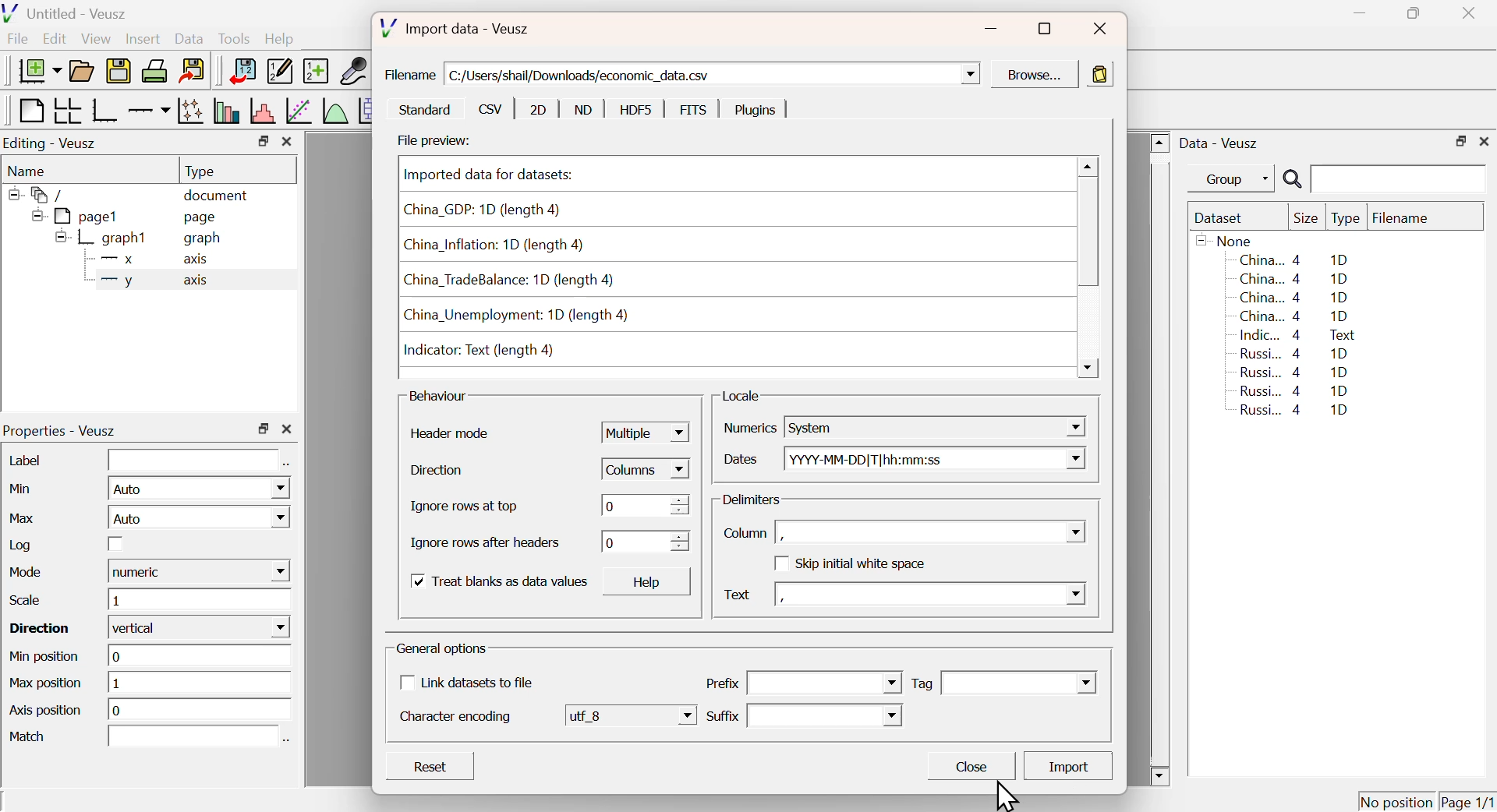 Image resolution: width=1497 pixels, height=812 pixels. I want to click on Delimiters, so click(753, 500).